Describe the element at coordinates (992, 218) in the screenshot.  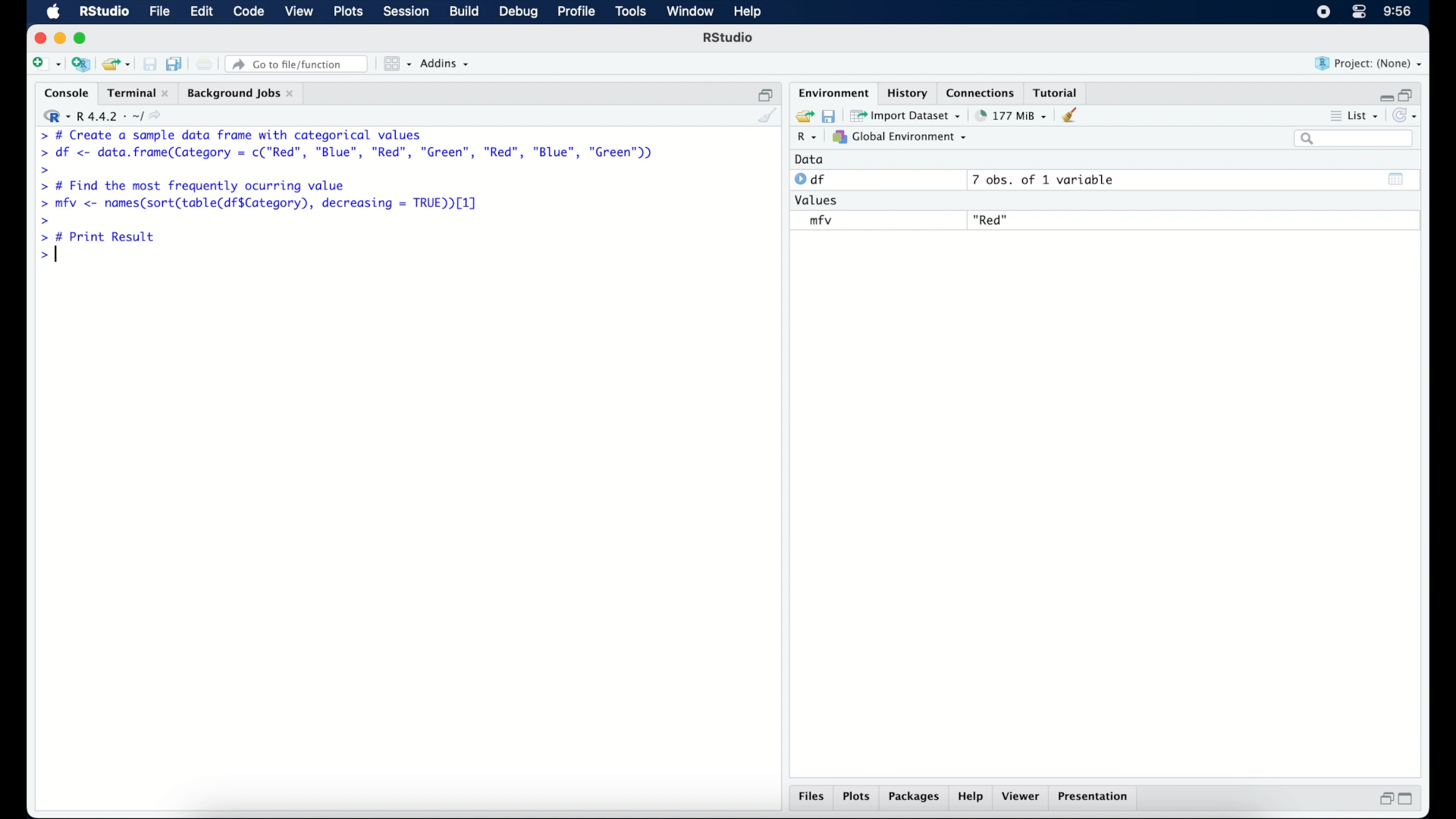
I see `"Red"` at that location.